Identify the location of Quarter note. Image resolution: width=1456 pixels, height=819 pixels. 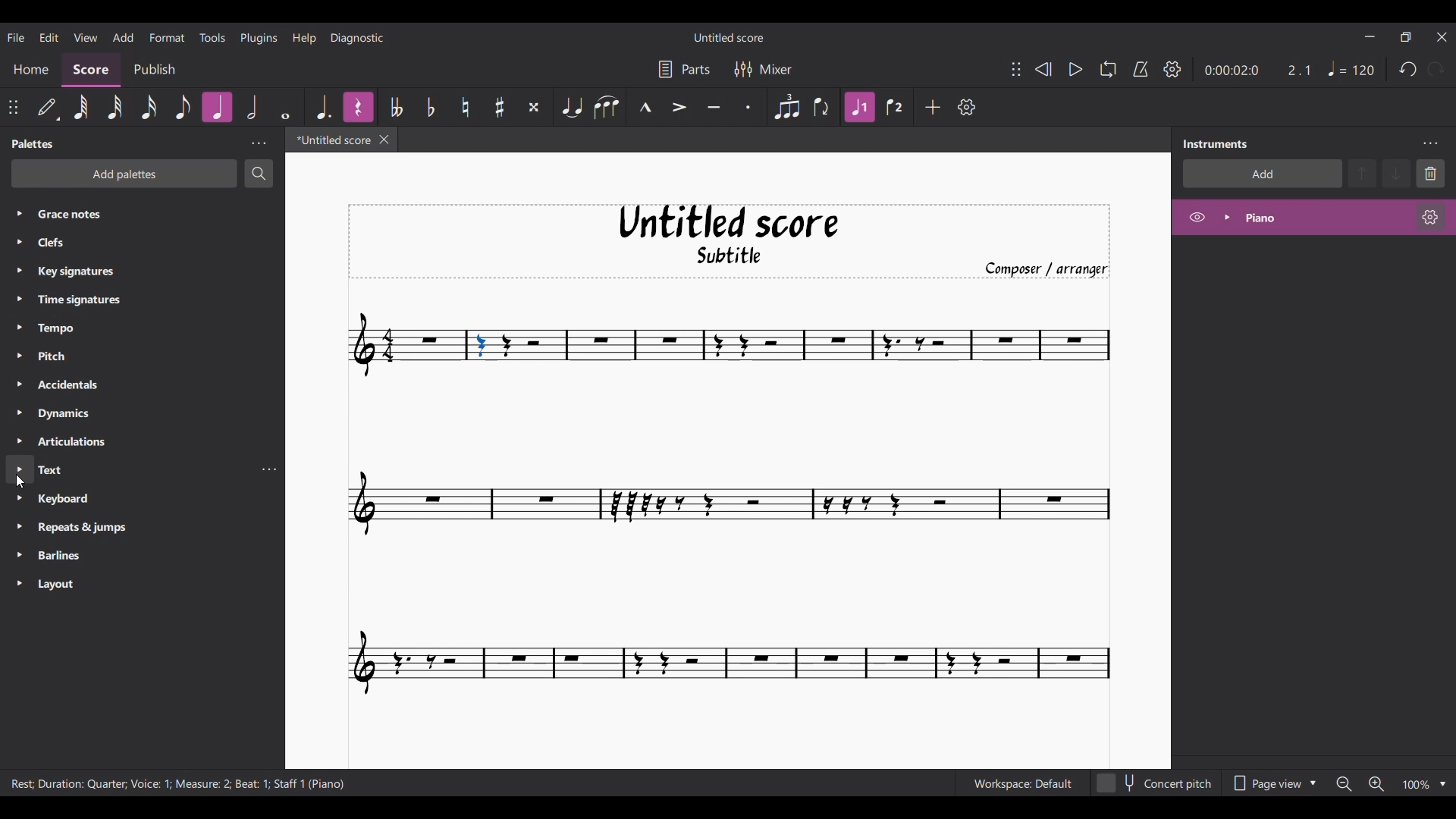
(1351, 68).